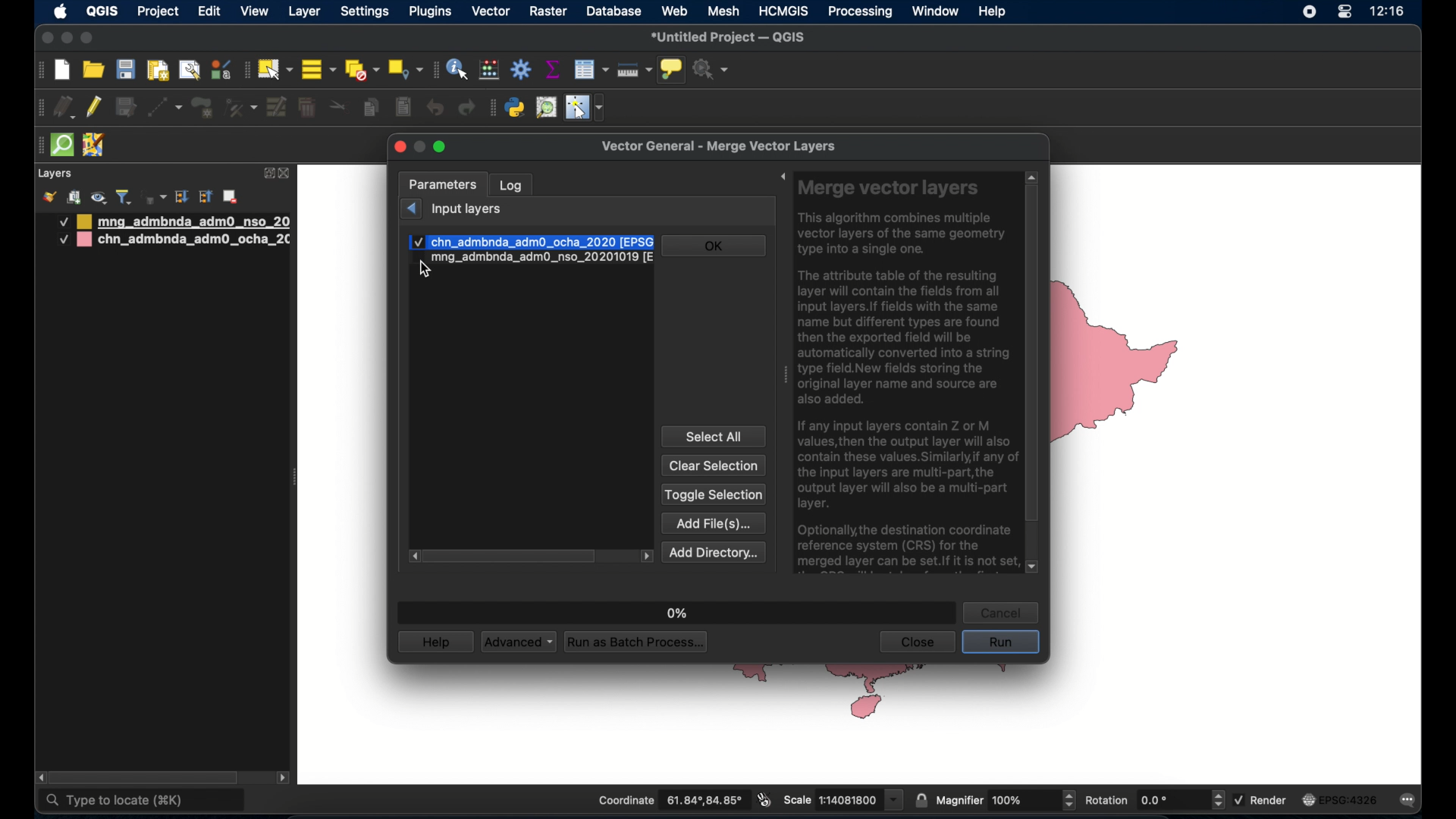 The image size is (1456, 819). I want to click on scroll box, so click(149, 777).